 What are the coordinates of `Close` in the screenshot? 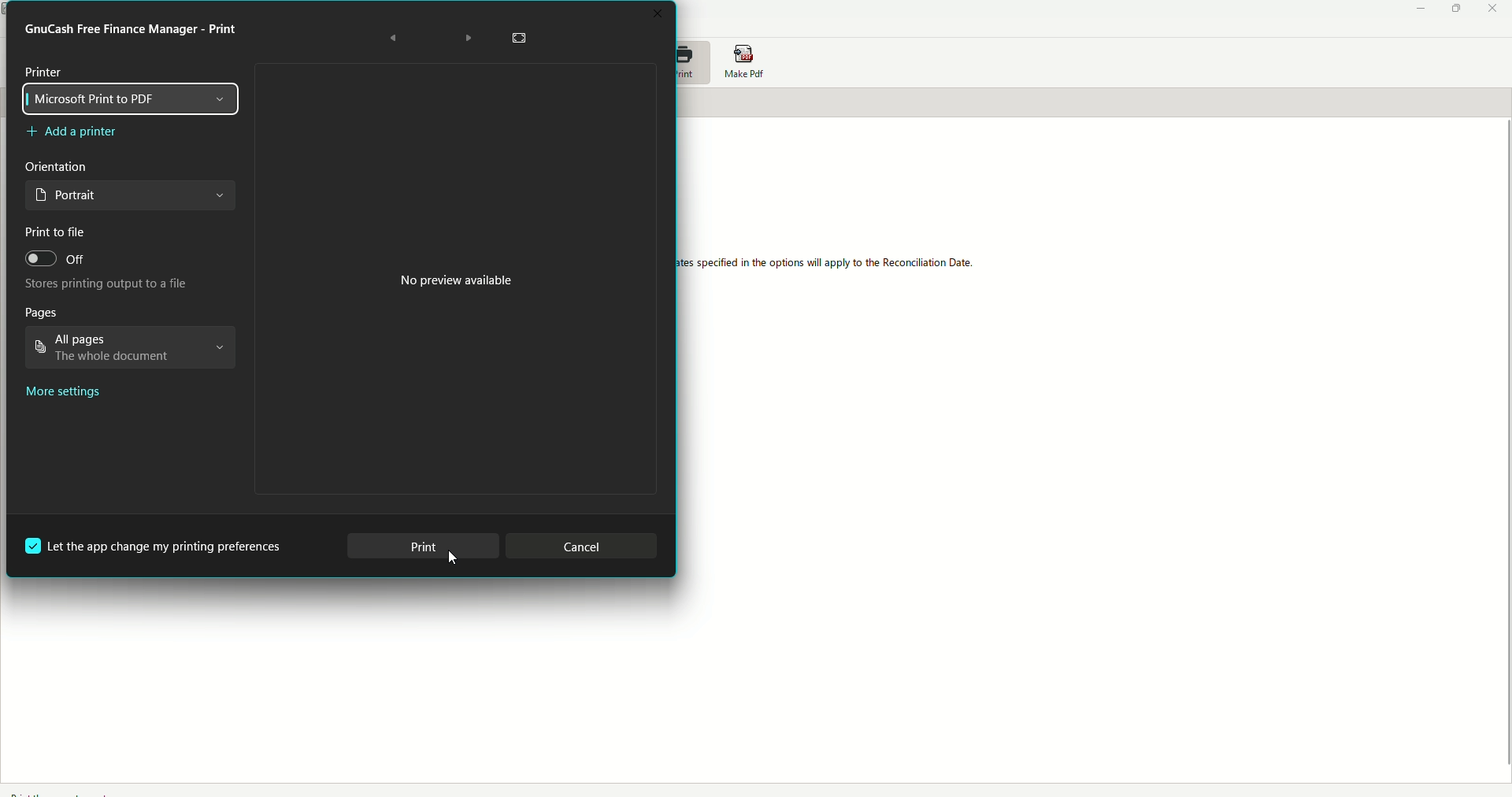 It's located at (658, 14).